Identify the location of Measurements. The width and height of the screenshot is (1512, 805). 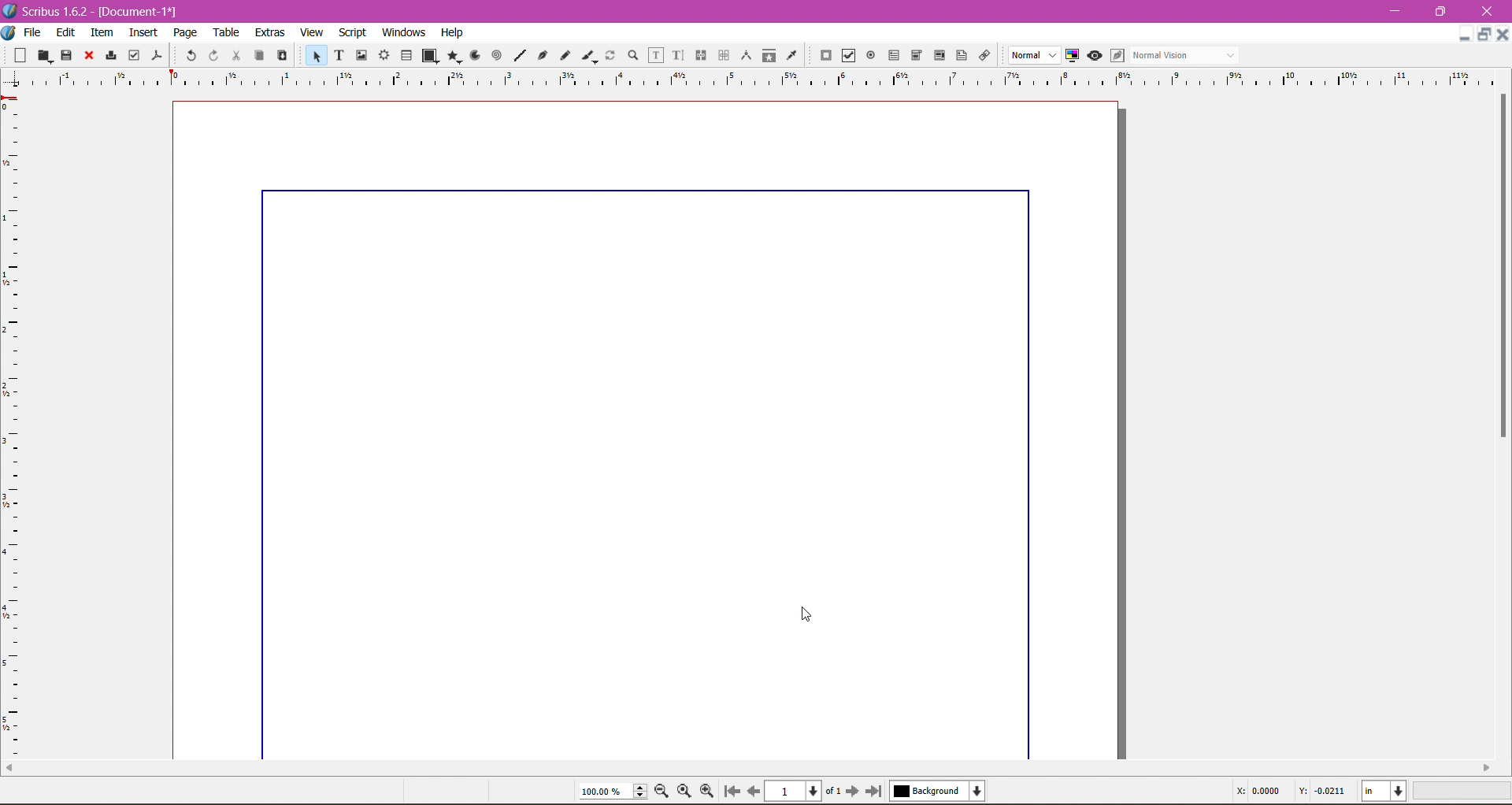
(745, 55).